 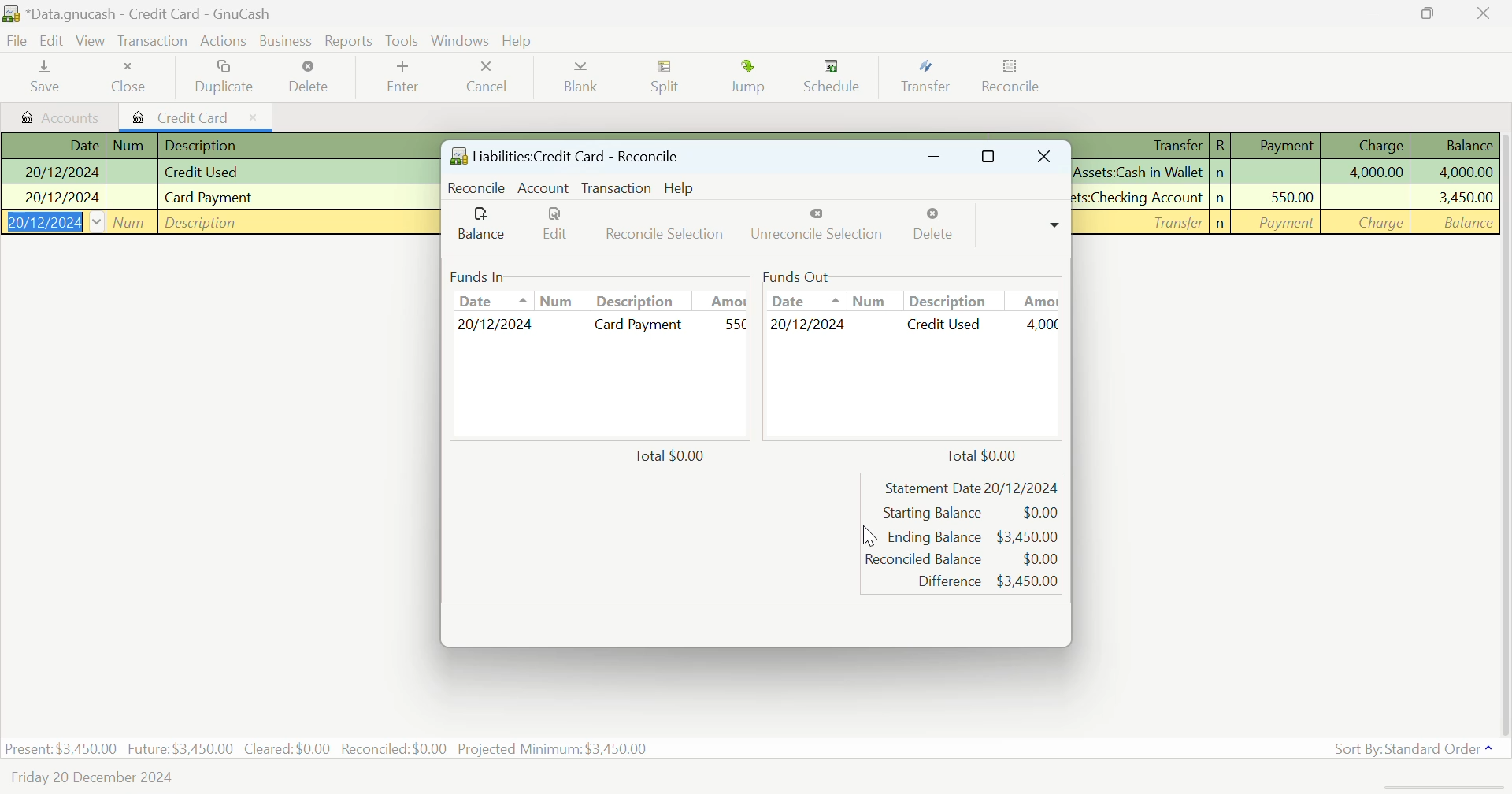 What do you see at coordinates (1010, 79) in the screenshot?
I see `Cursor on Reconcile` at bounding box center [1010, 79].